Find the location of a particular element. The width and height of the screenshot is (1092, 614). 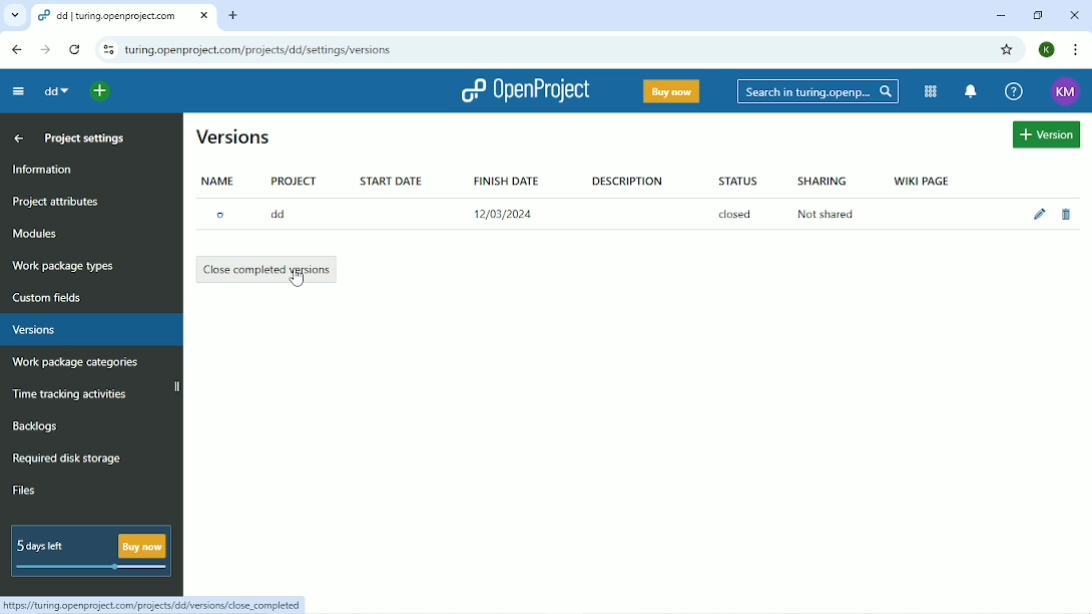

Search in Turing.opening is located at coordinates (818, 92).